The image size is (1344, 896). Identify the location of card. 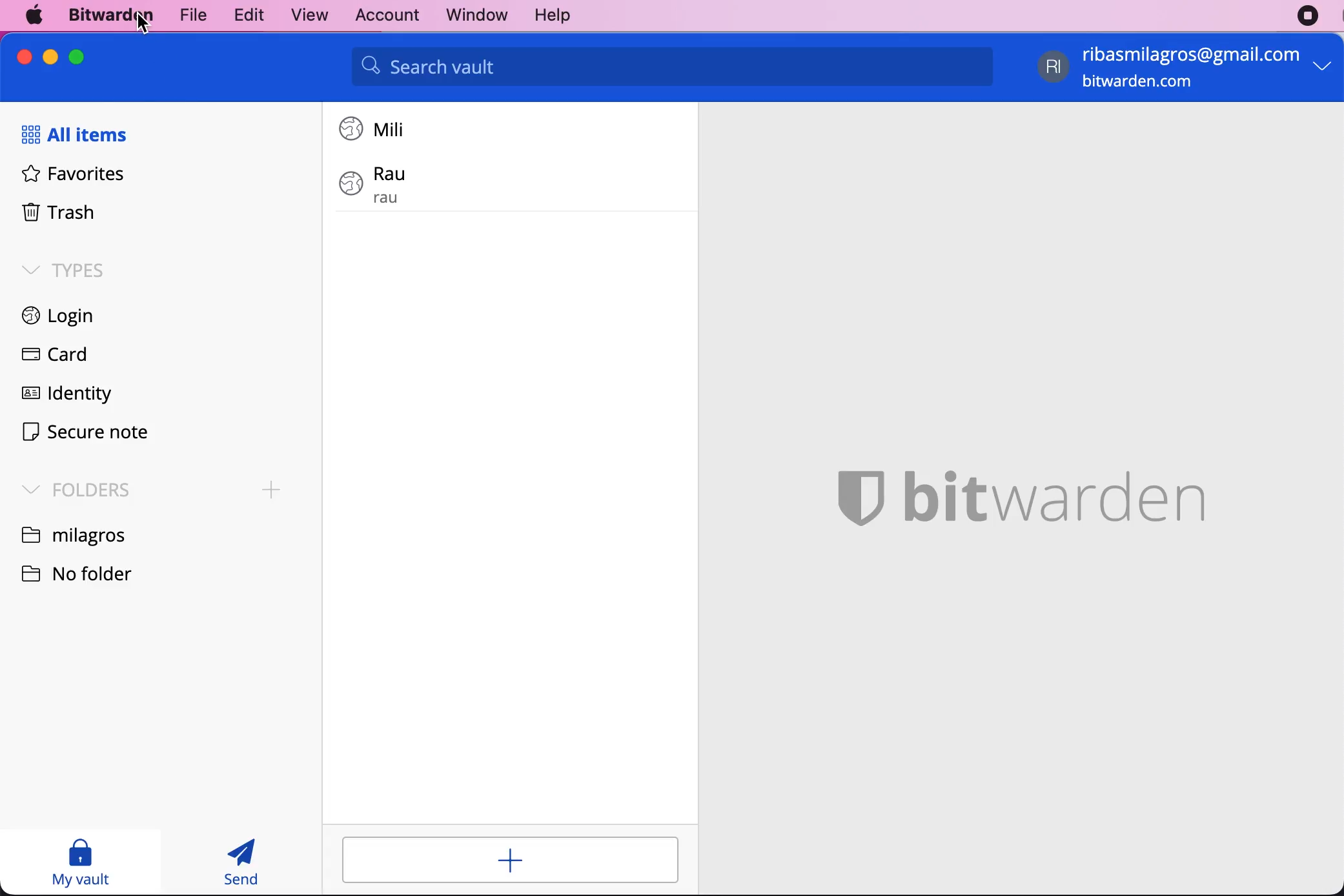
(50, 356).